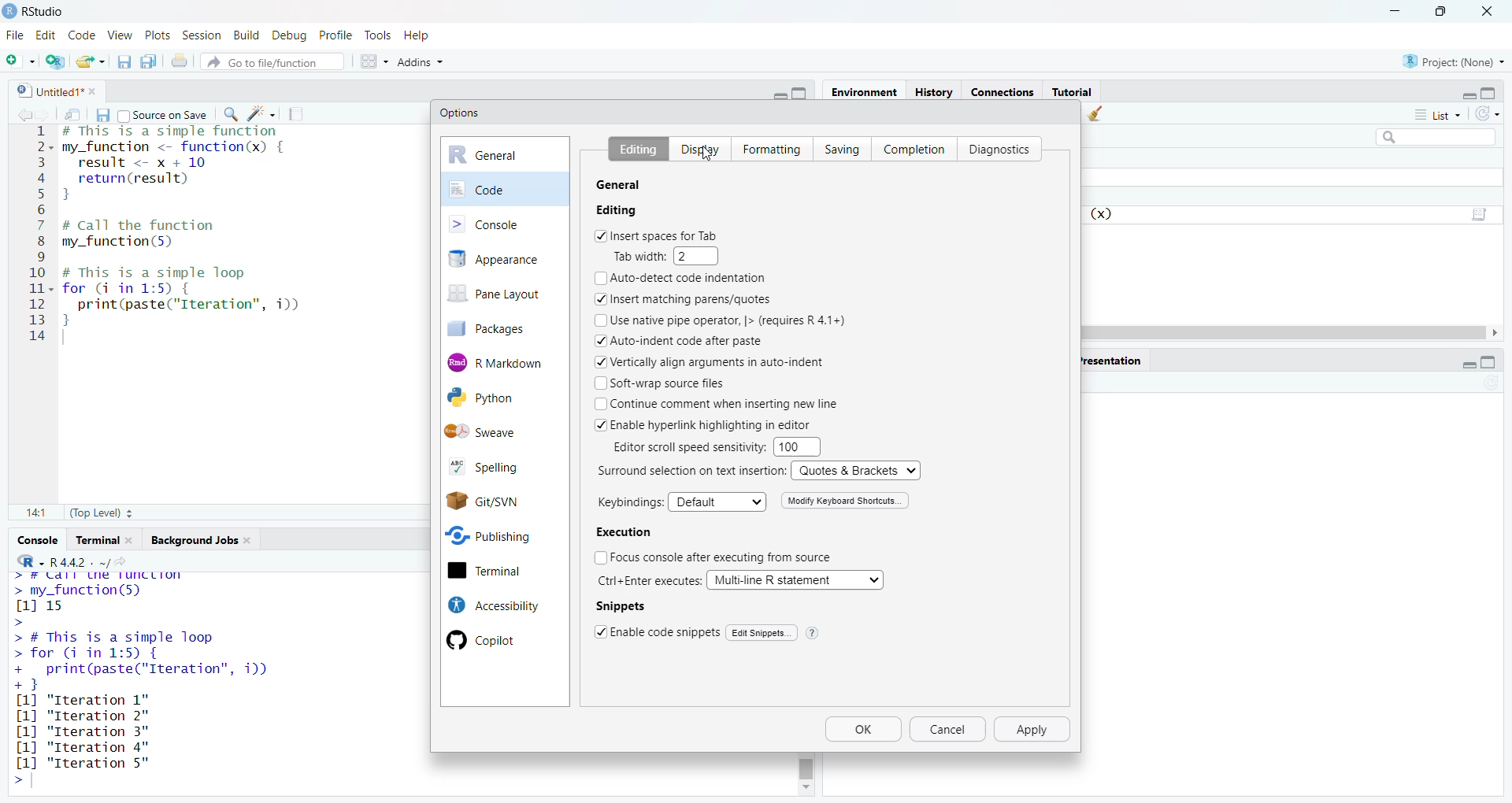  What do you see at coordinates (950, 731) in the screenshot?
I see `cancel` at bounding box center [950, 731].